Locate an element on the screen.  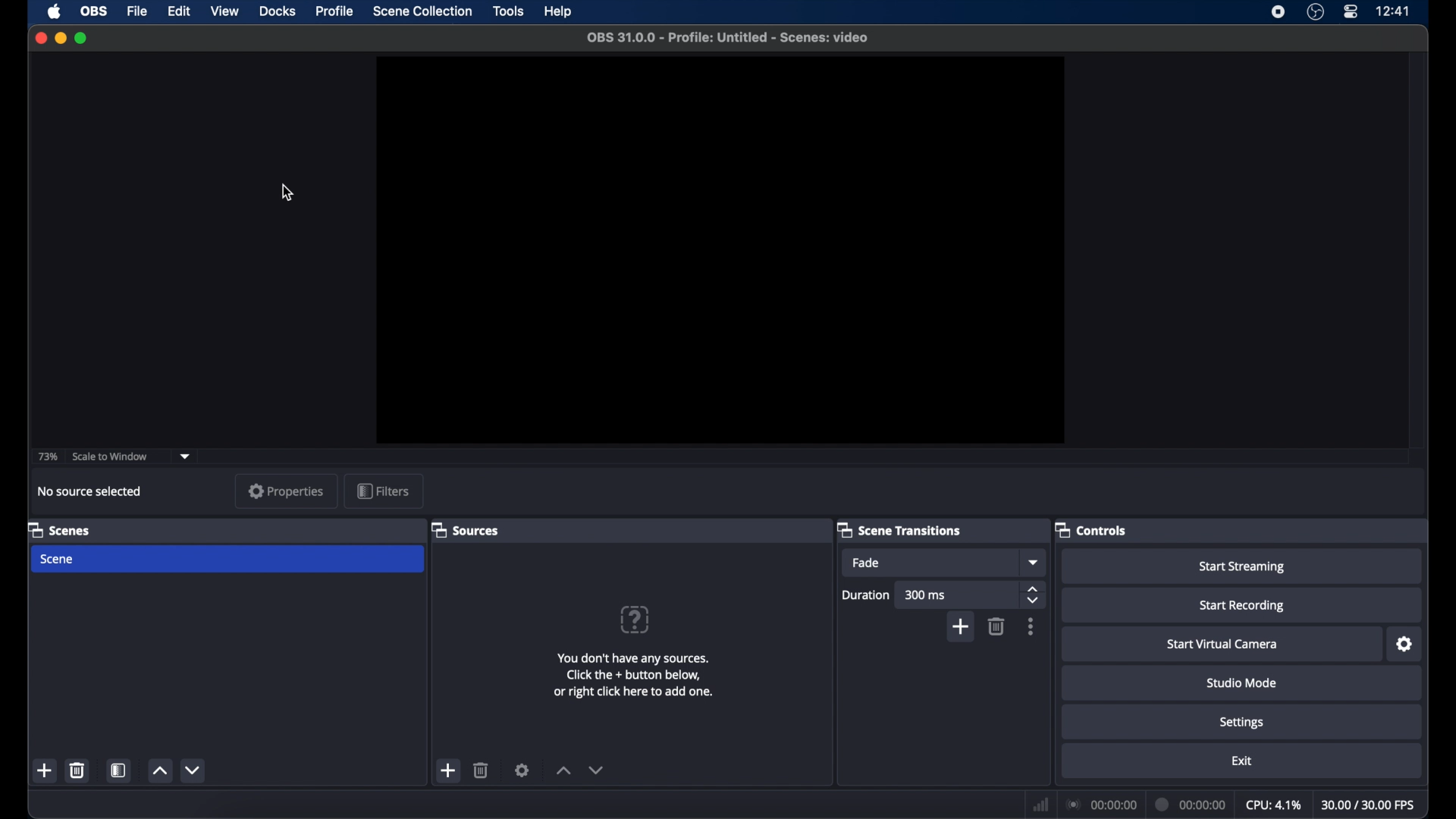
12:41 is located at coordinates (1394, 11).